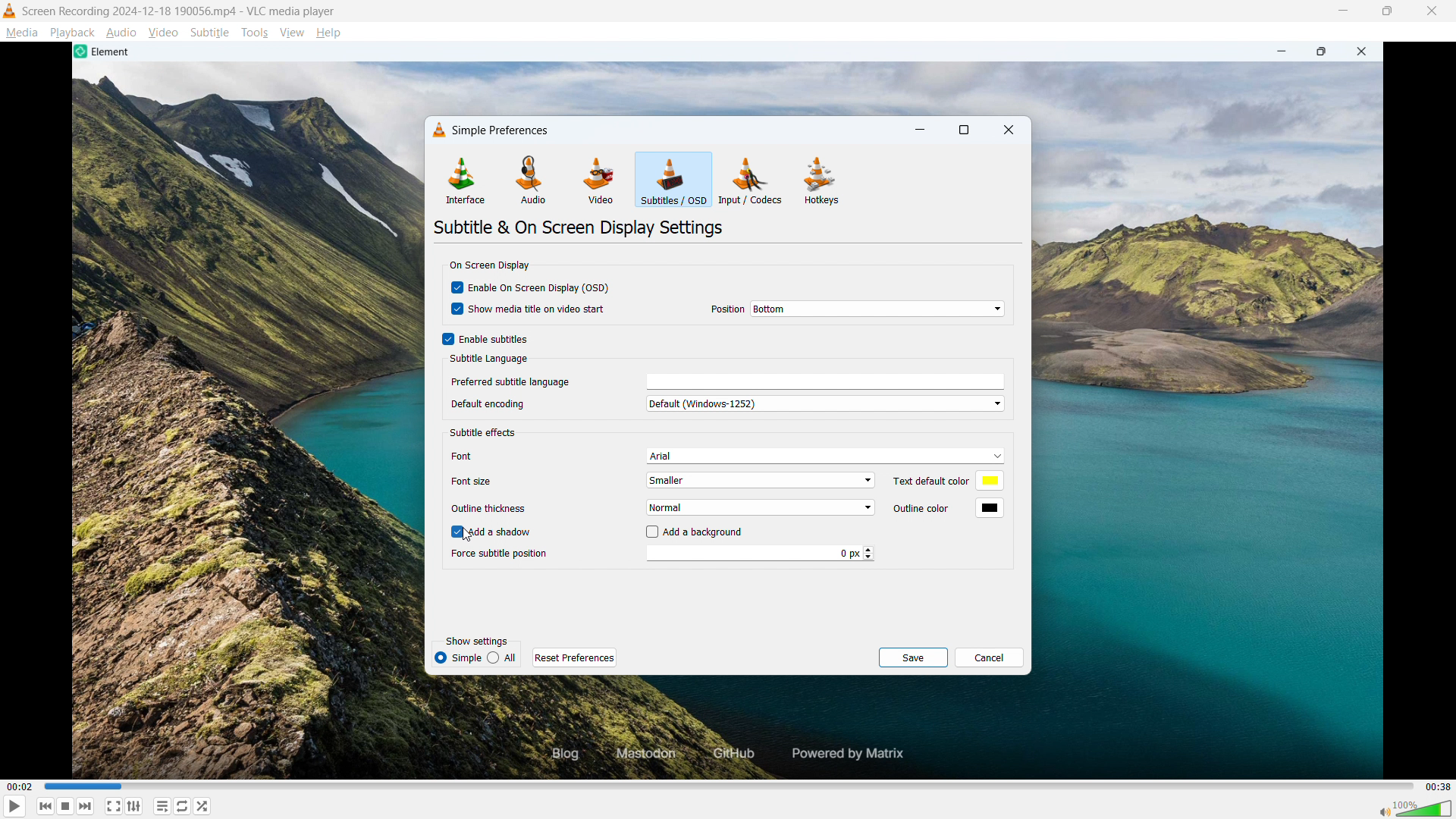 Image resolution: width=1456 pixels, height=819 pixels. I want to click on Reset preferences , so click(574, 656).